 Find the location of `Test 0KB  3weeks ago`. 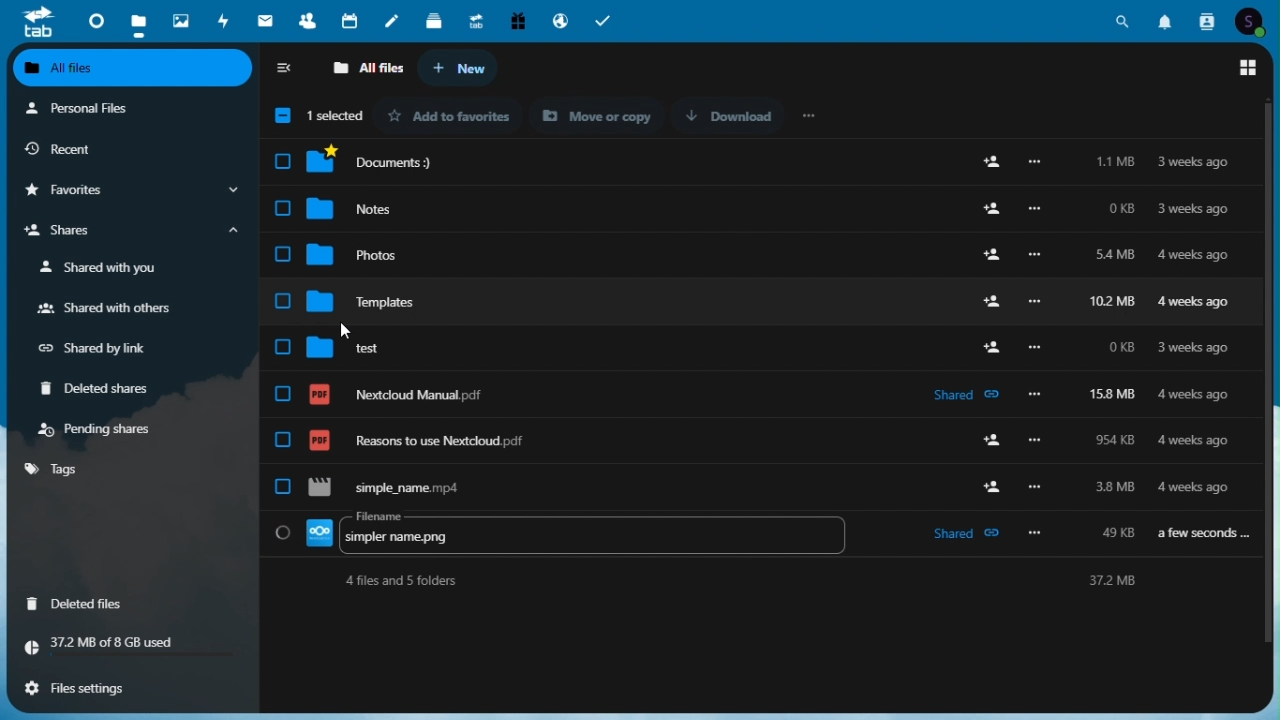

Test 0KB  3weeks ago is located at coordinates (760, 339).